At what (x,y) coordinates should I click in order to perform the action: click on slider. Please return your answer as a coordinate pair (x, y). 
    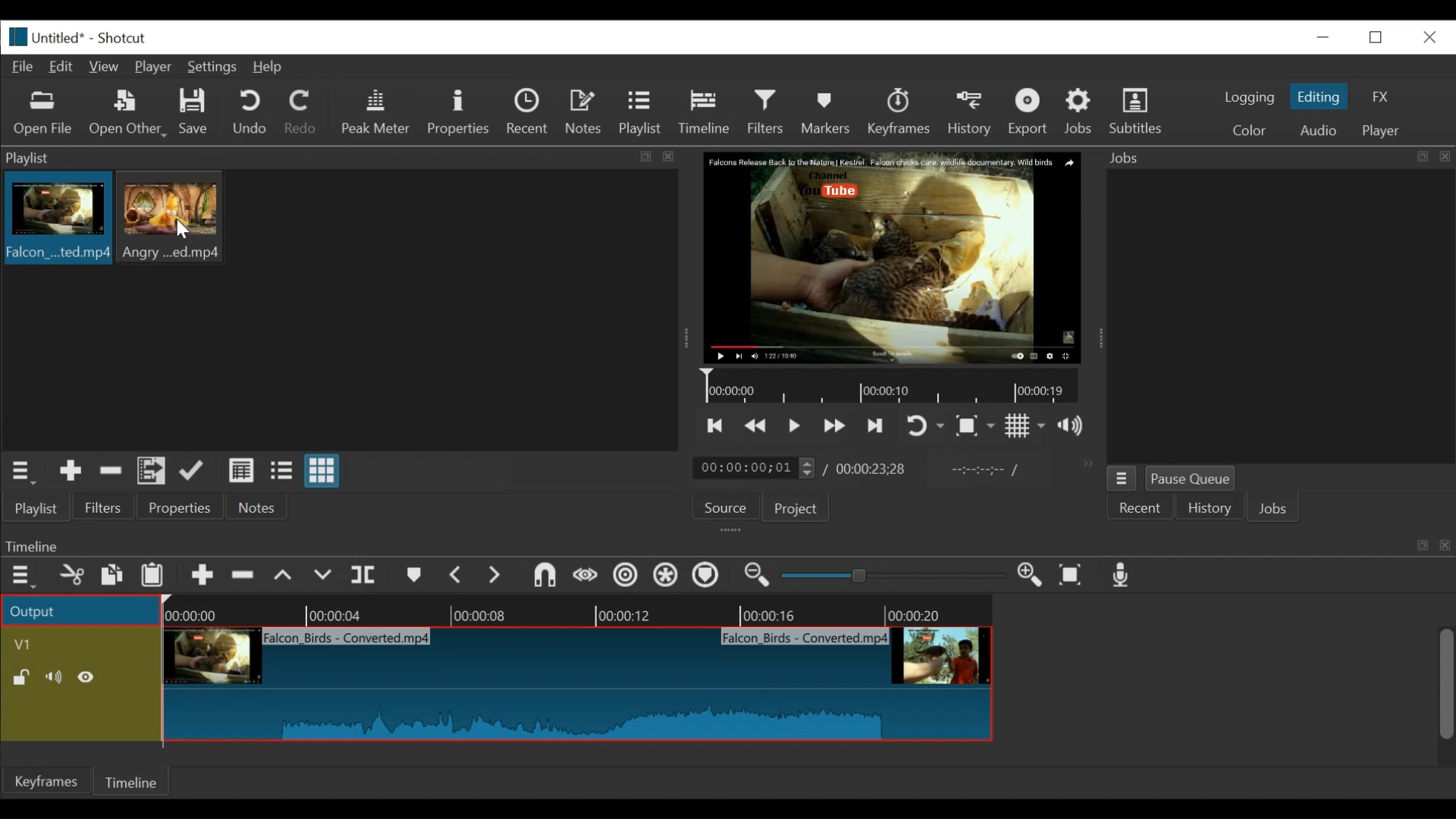
    Looking at the image, I should click on (889, 576).